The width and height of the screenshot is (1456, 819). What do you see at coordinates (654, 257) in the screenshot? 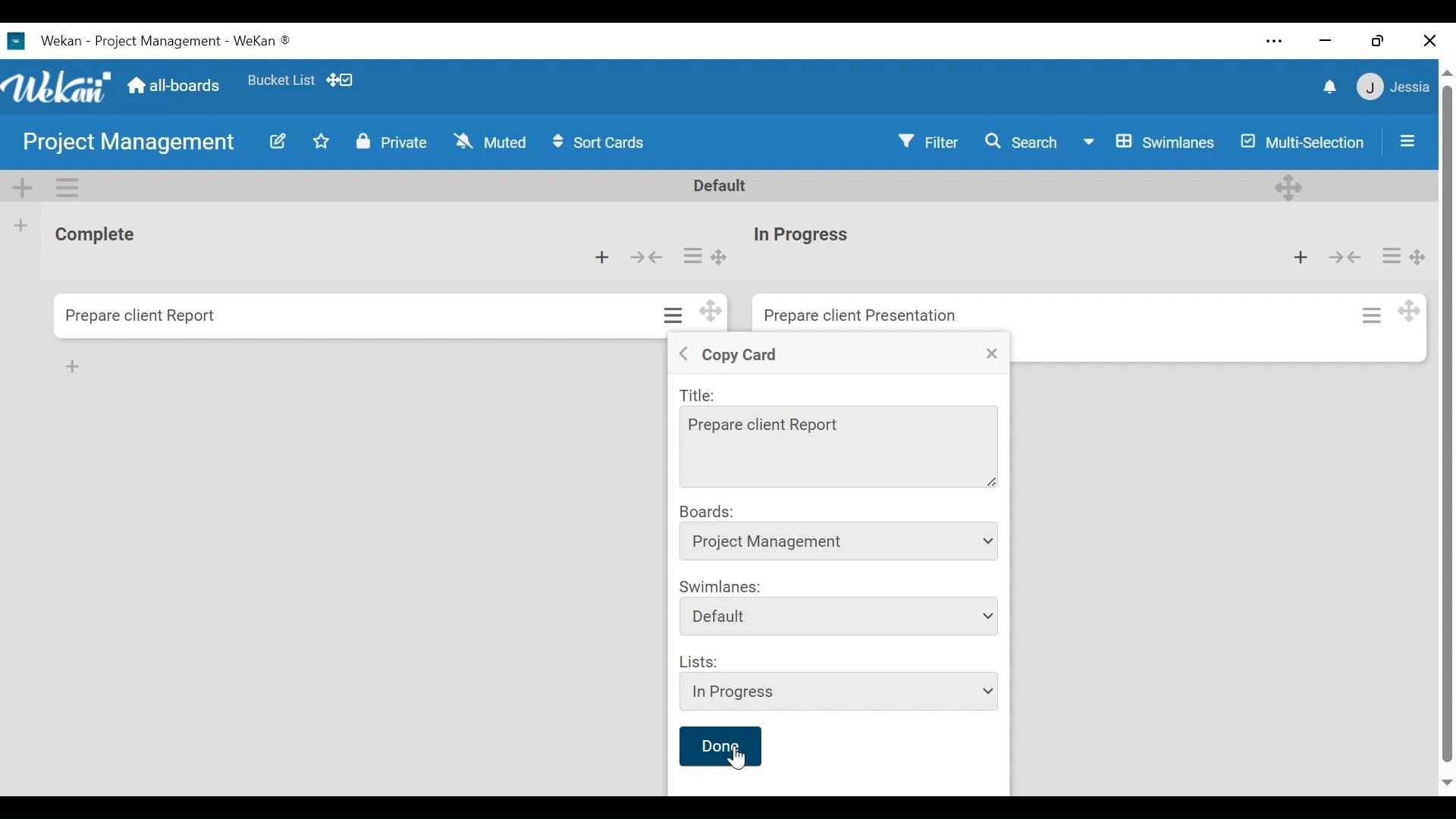
I see `Collapse` at bounding box center [654, 257].